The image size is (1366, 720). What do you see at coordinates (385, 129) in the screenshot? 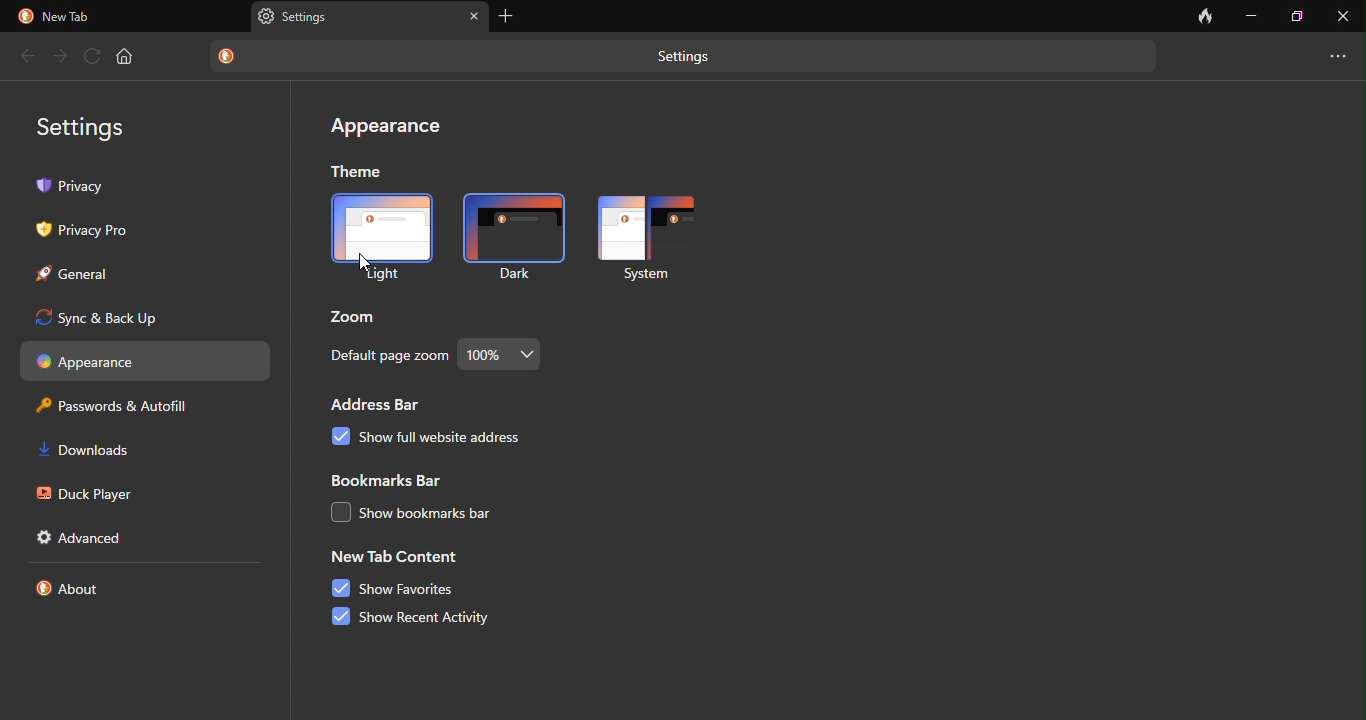
I see `appearance` at bounding box center [385, 129].